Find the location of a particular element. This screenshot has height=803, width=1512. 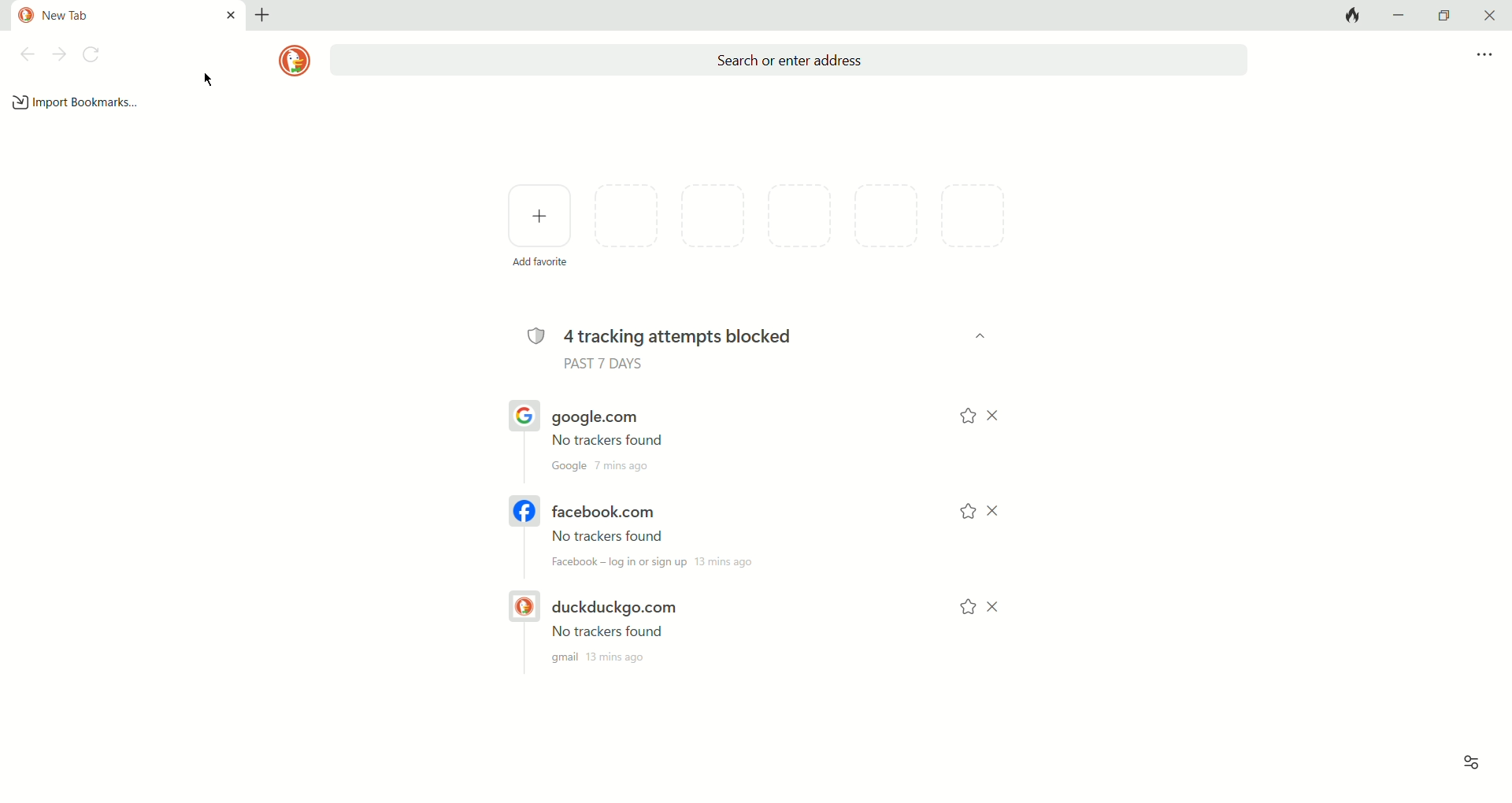

current tab is located at coordinates (121, 18).